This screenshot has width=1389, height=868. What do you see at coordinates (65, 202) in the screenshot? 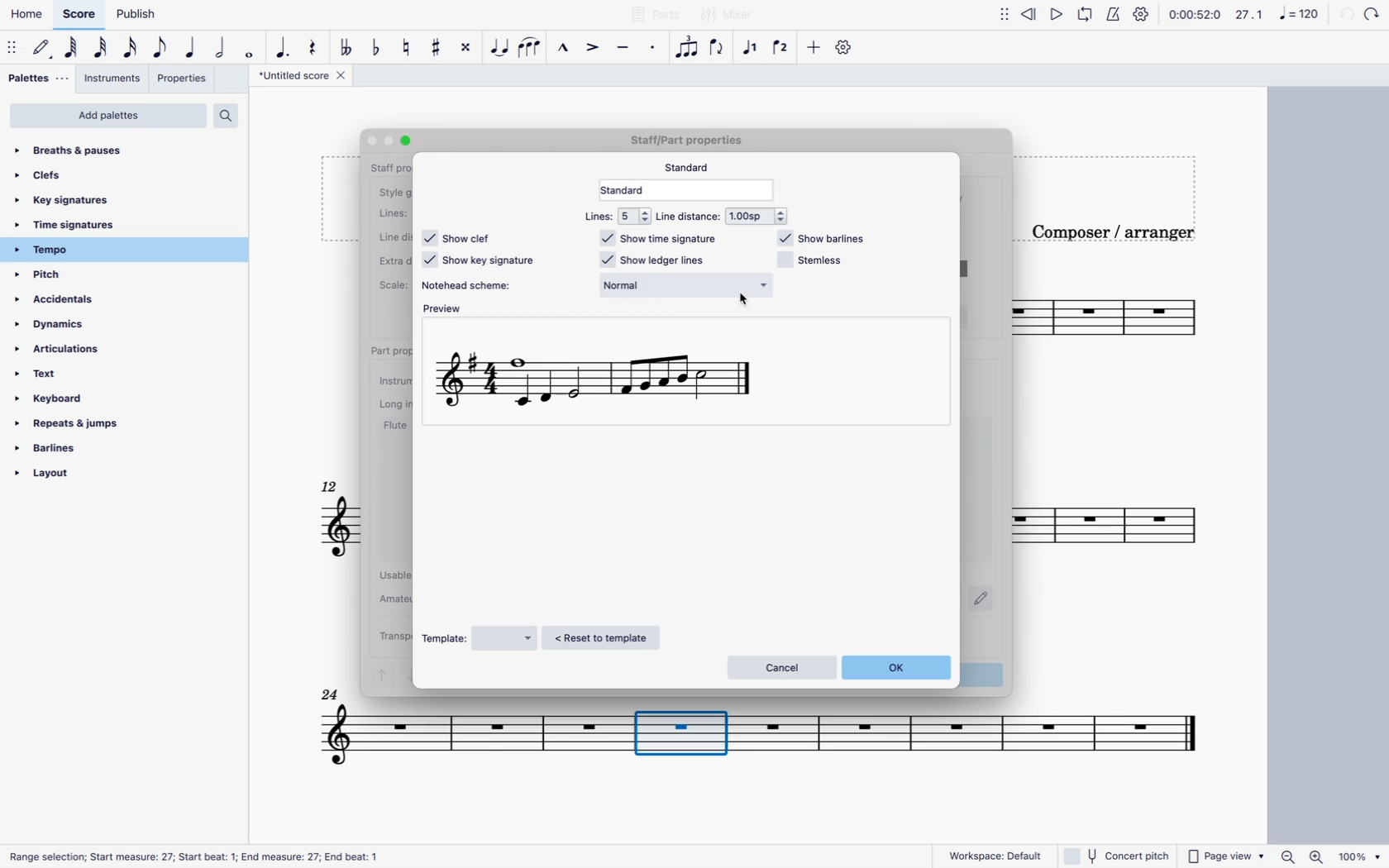
I see `key signatures` at bounding box center [65, 202].